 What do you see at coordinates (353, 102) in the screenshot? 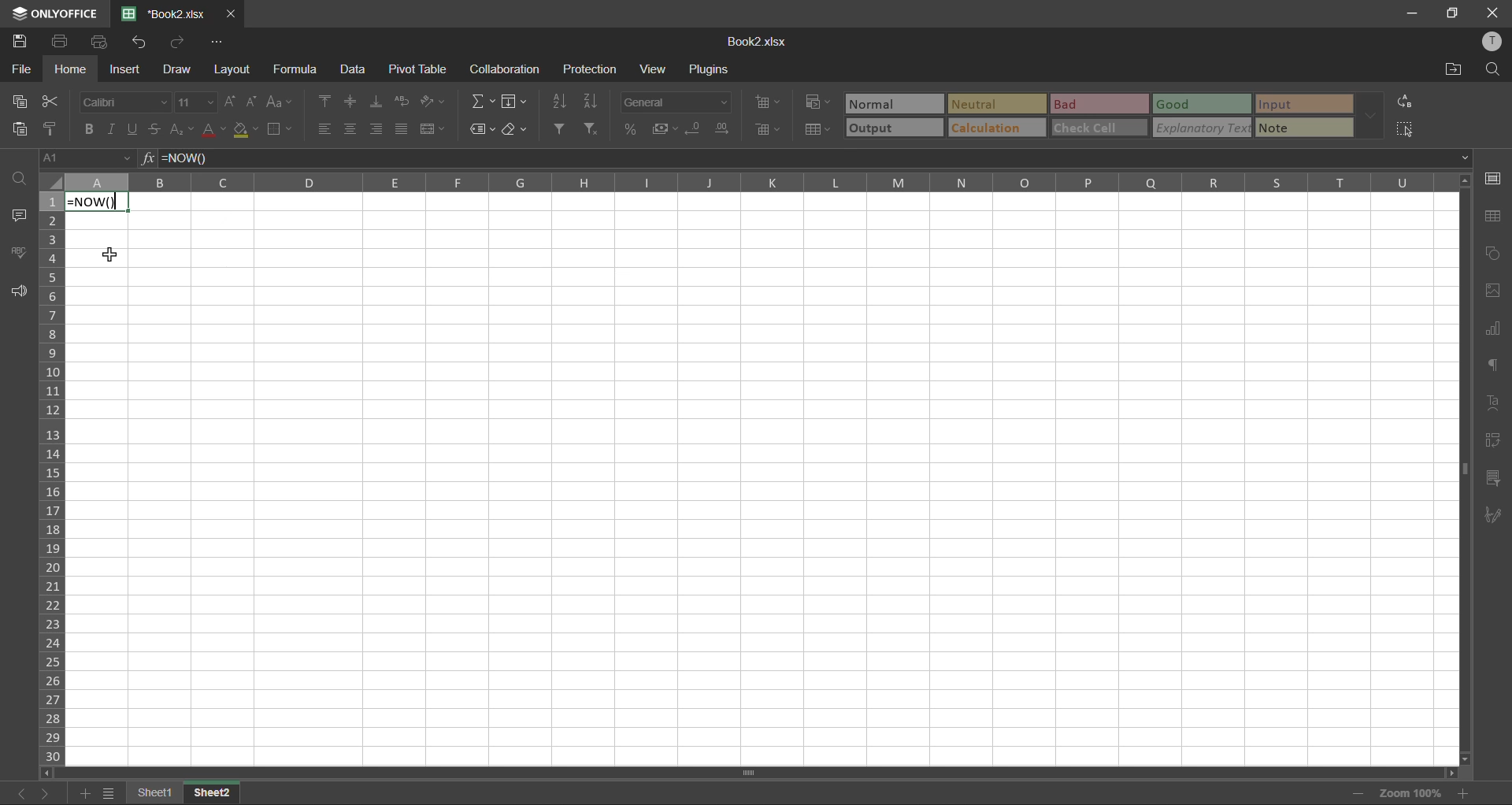
I see `align middle` at bounding box center [353, 102].